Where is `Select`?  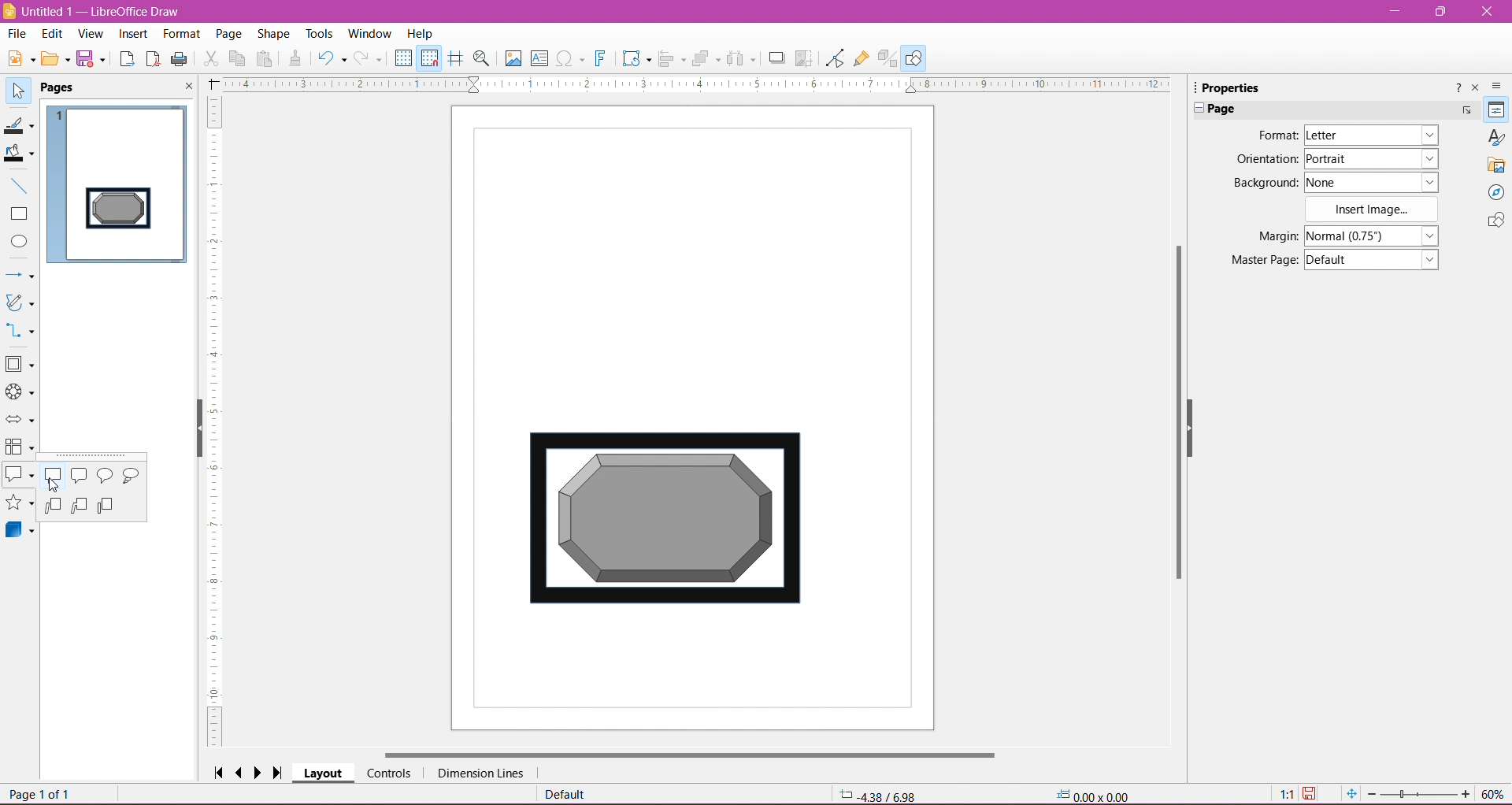
Select is located at coordinates (19, 91).